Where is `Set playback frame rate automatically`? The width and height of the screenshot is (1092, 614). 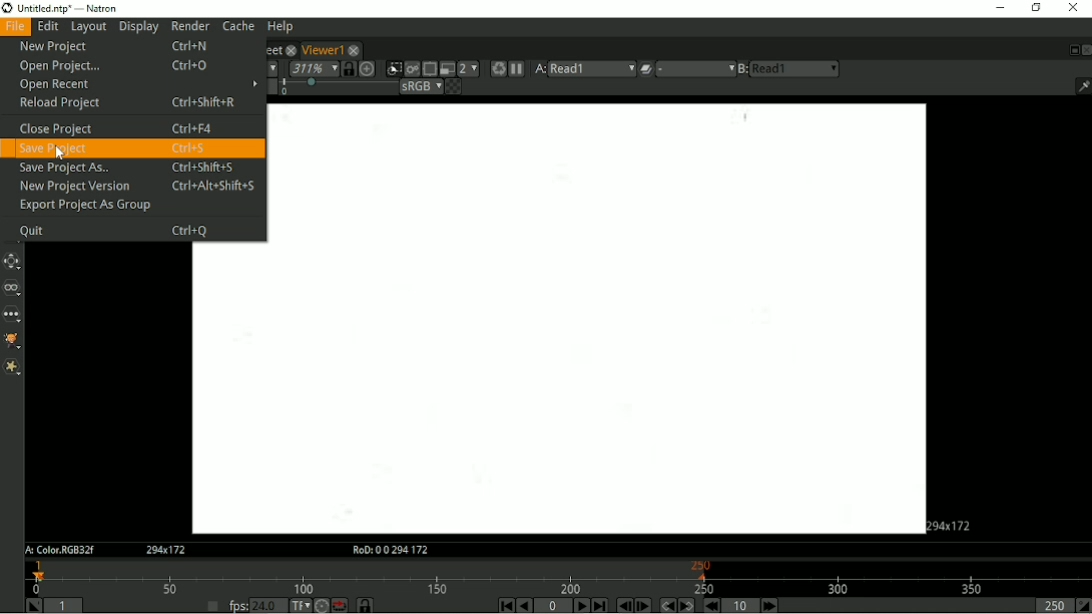 Set playback frame rate automatically is located at coordinates (213, 606).